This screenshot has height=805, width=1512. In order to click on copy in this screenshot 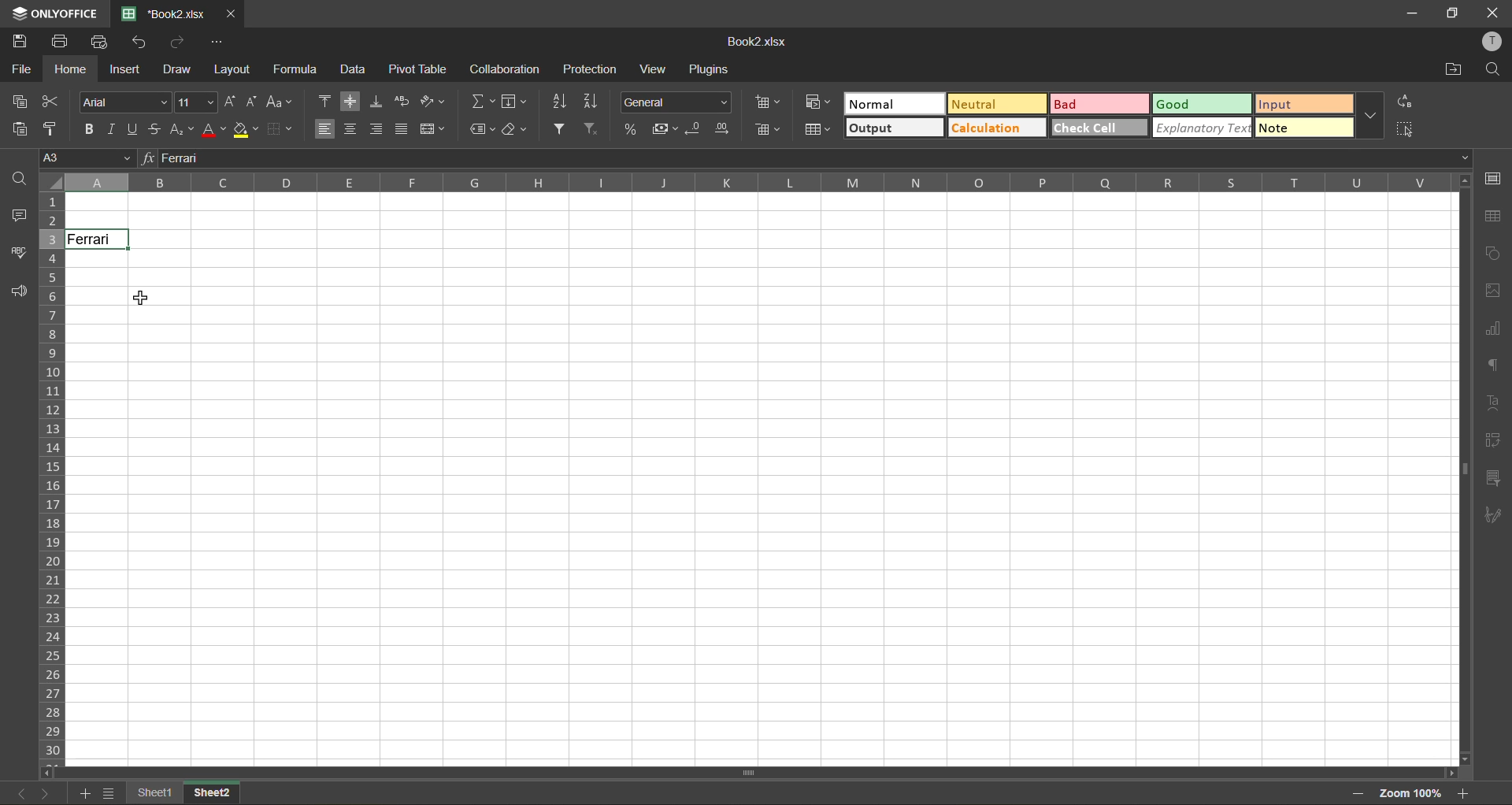, I will do `click(20, 102)`.